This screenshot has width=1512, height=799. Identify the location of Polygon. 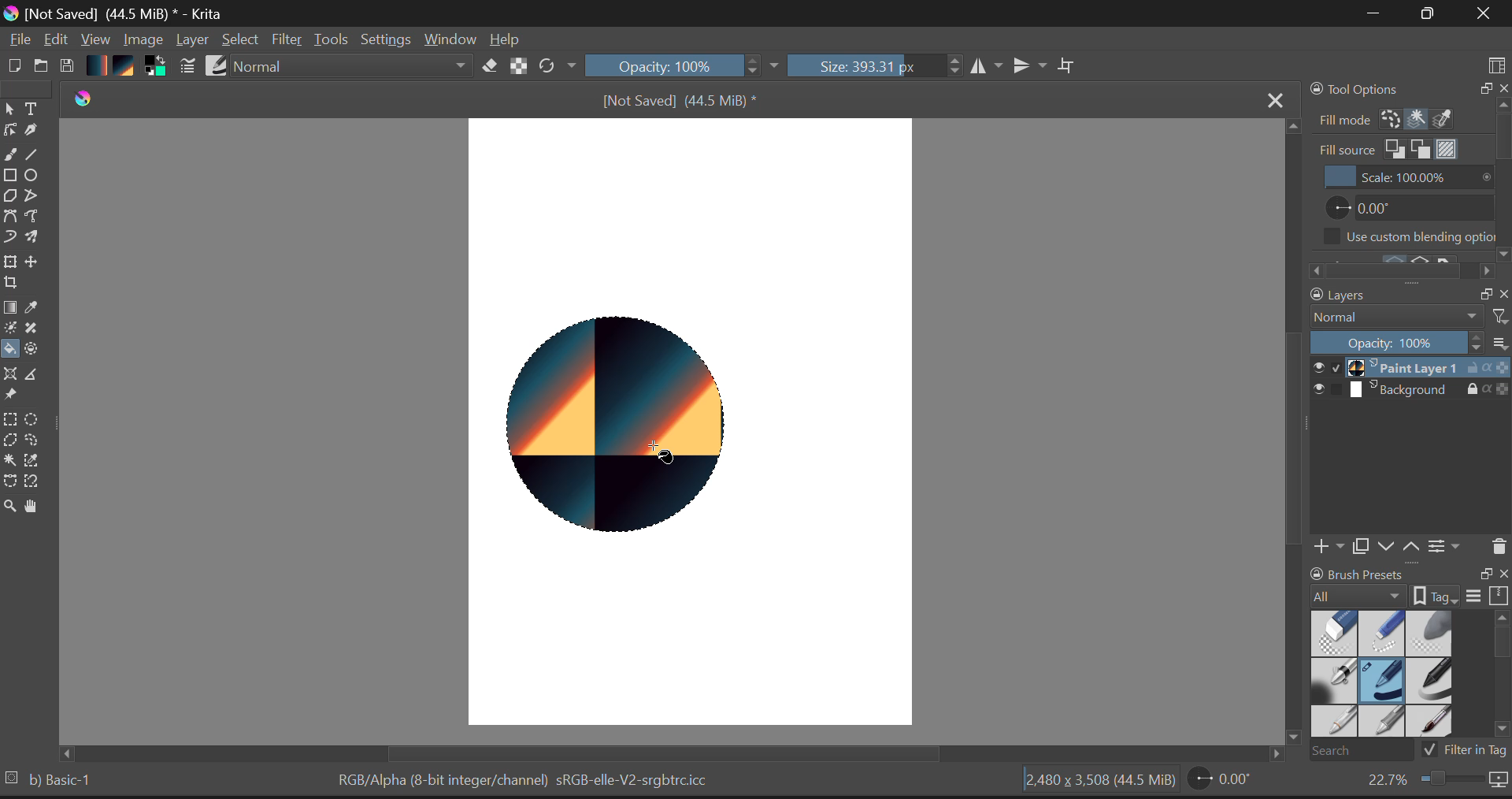
(11, 199).